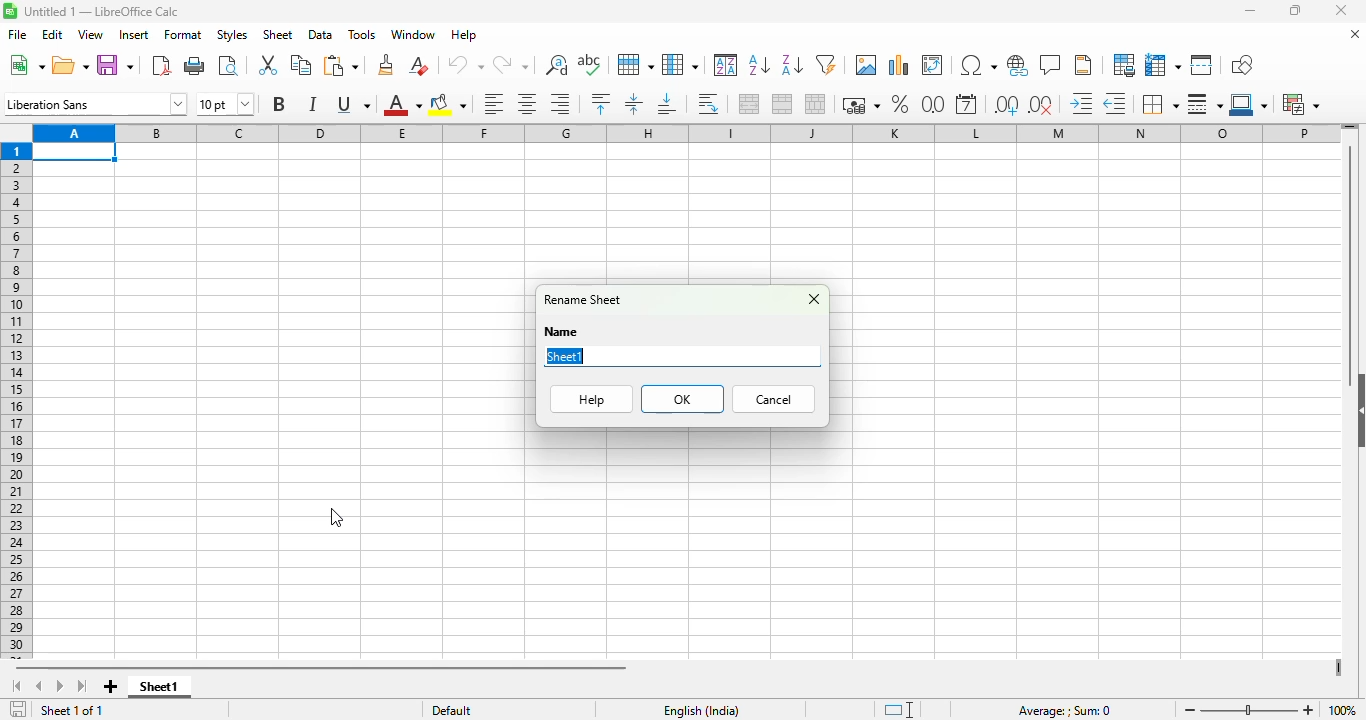 The image size is (1366, 720). Describe the element at coordinates (39, 687) in the screenshot. I see `scroll to previous sheet` at that location.